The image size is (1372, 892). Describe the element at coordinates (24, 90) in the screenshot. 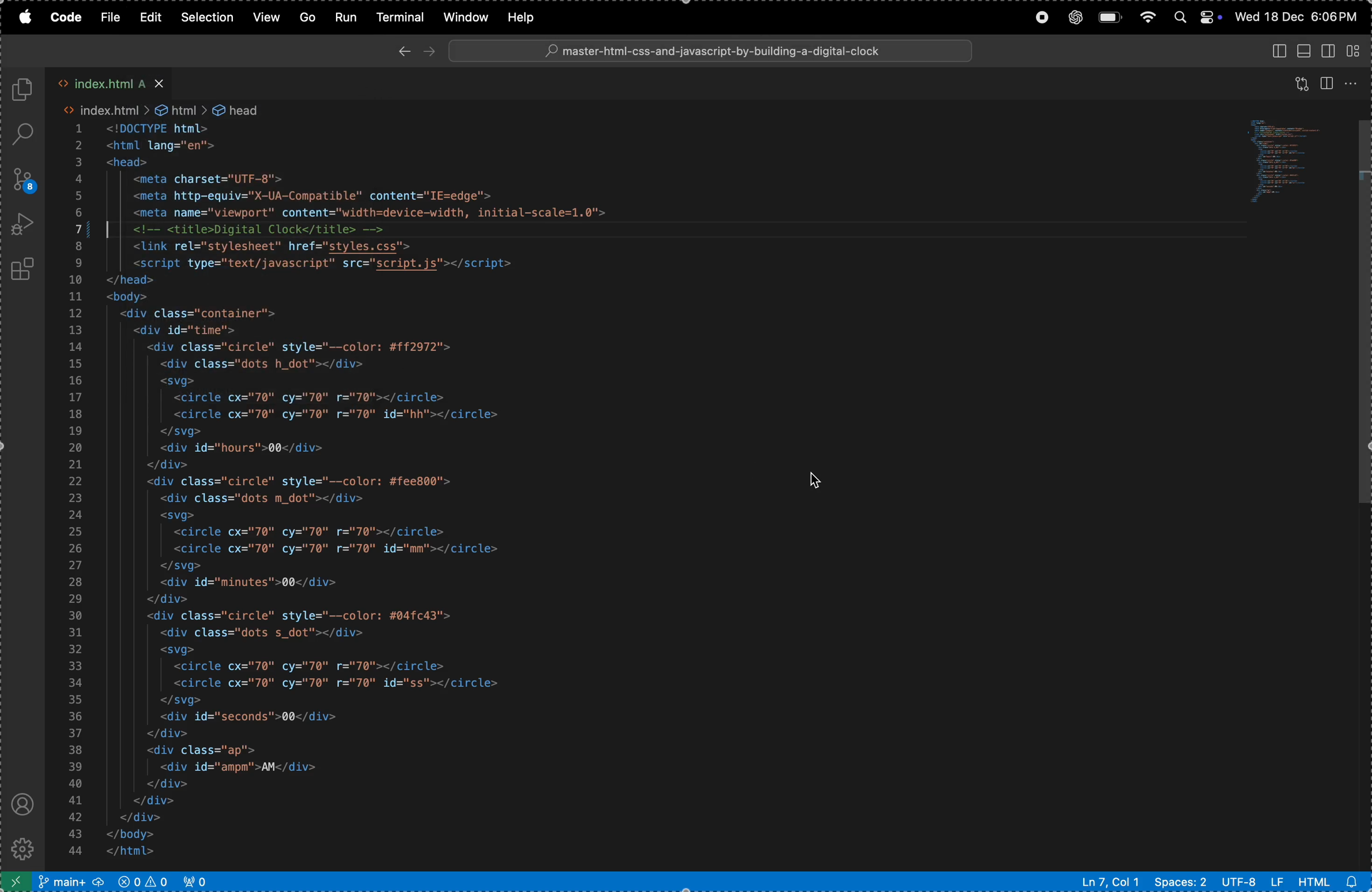

I see `explore` at that location.